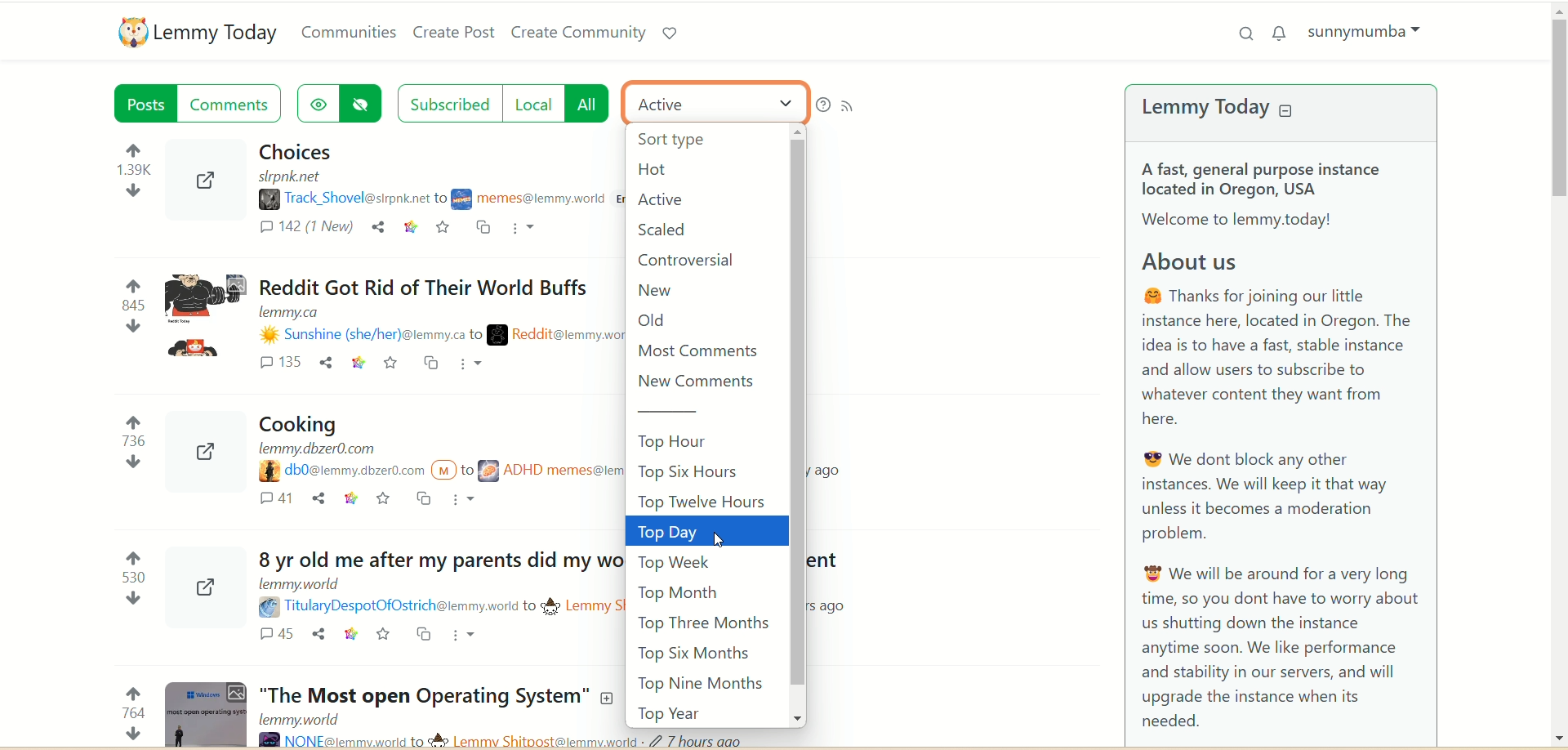 The image size is (1568, 750). Describe the element at coordinates (796, 424) in the screenshot. I see `vertical scroll bar` at that location.